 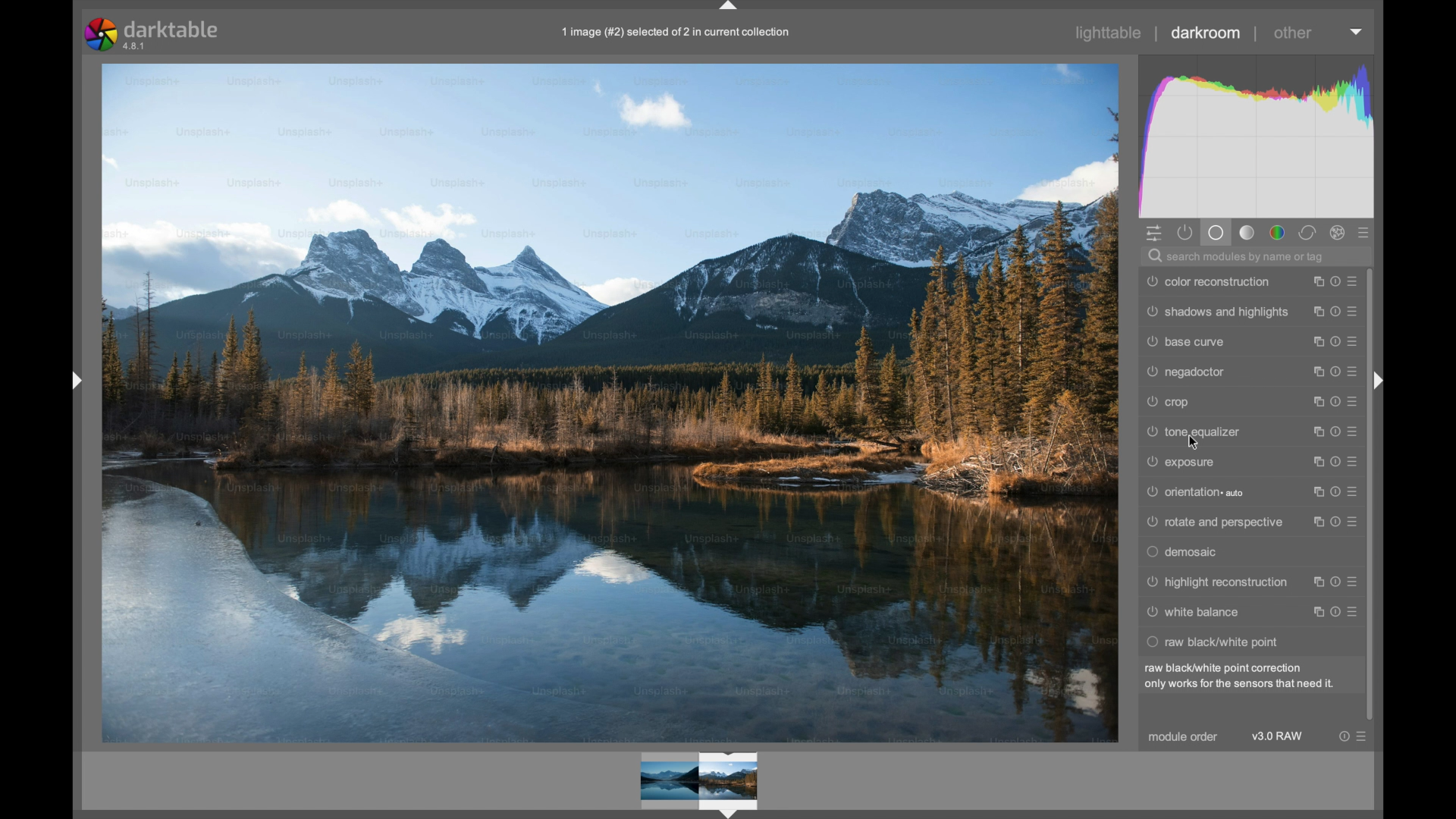 What do you see at coordinates (1109, 33) in the screenshot?
I see `lighttable` at bounding box center [1109, 33].